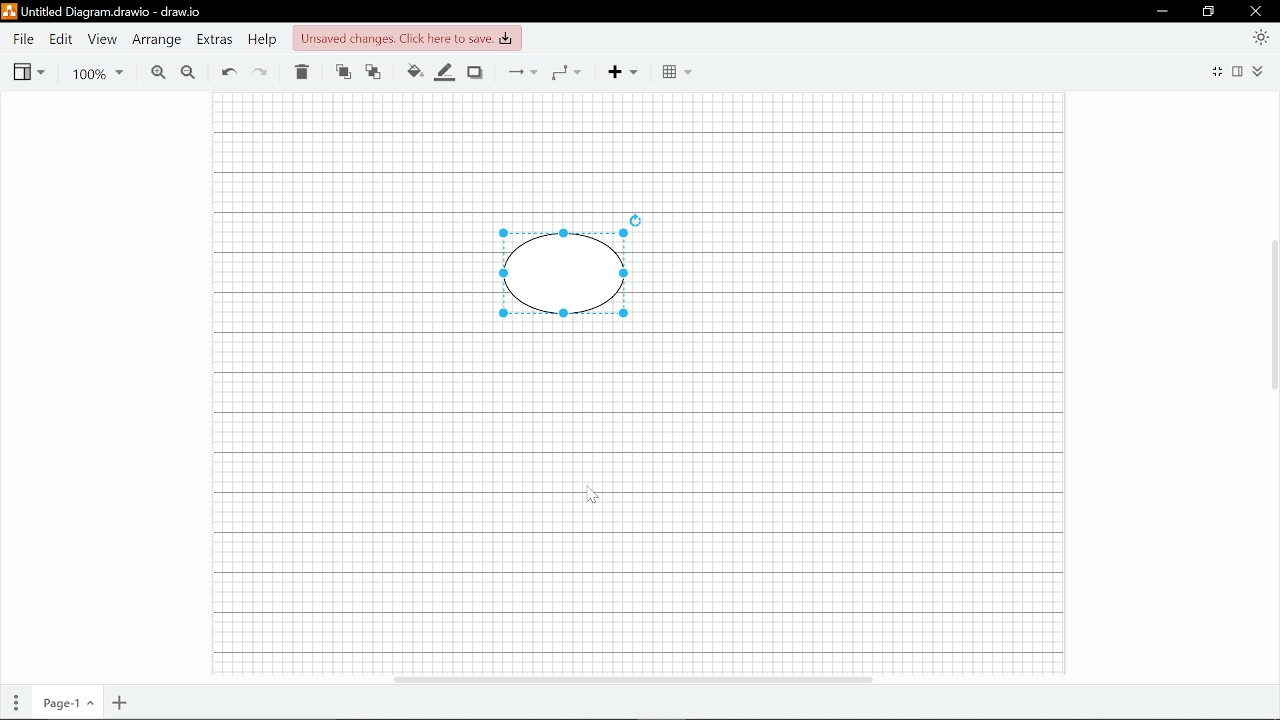  What do you see at coordinates (1259, 71) in the screenshot?
I see `Expand/collapse` at bounding box center [1259, 71].